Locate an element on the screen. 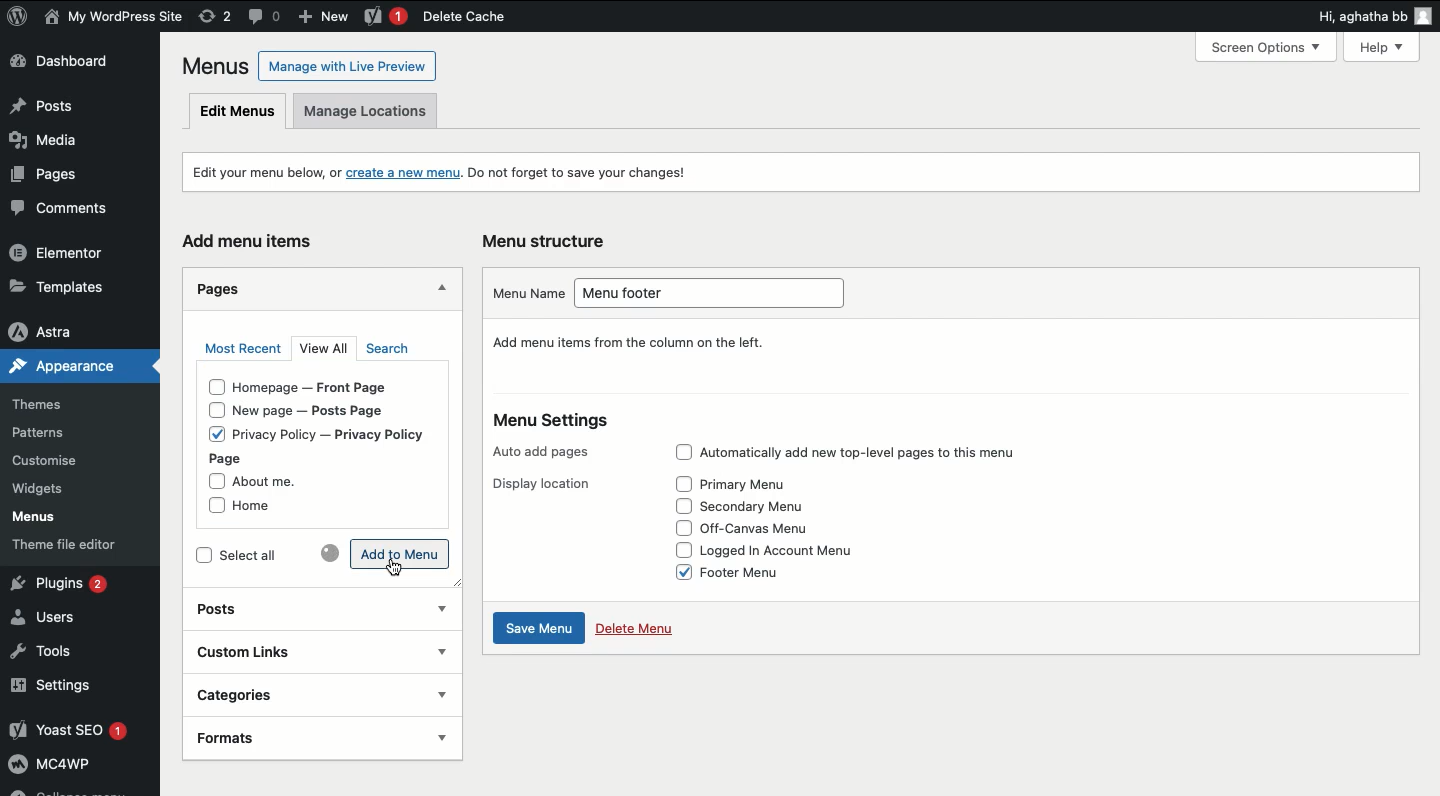  Screen Options  is located at coordinates (1274, 47).